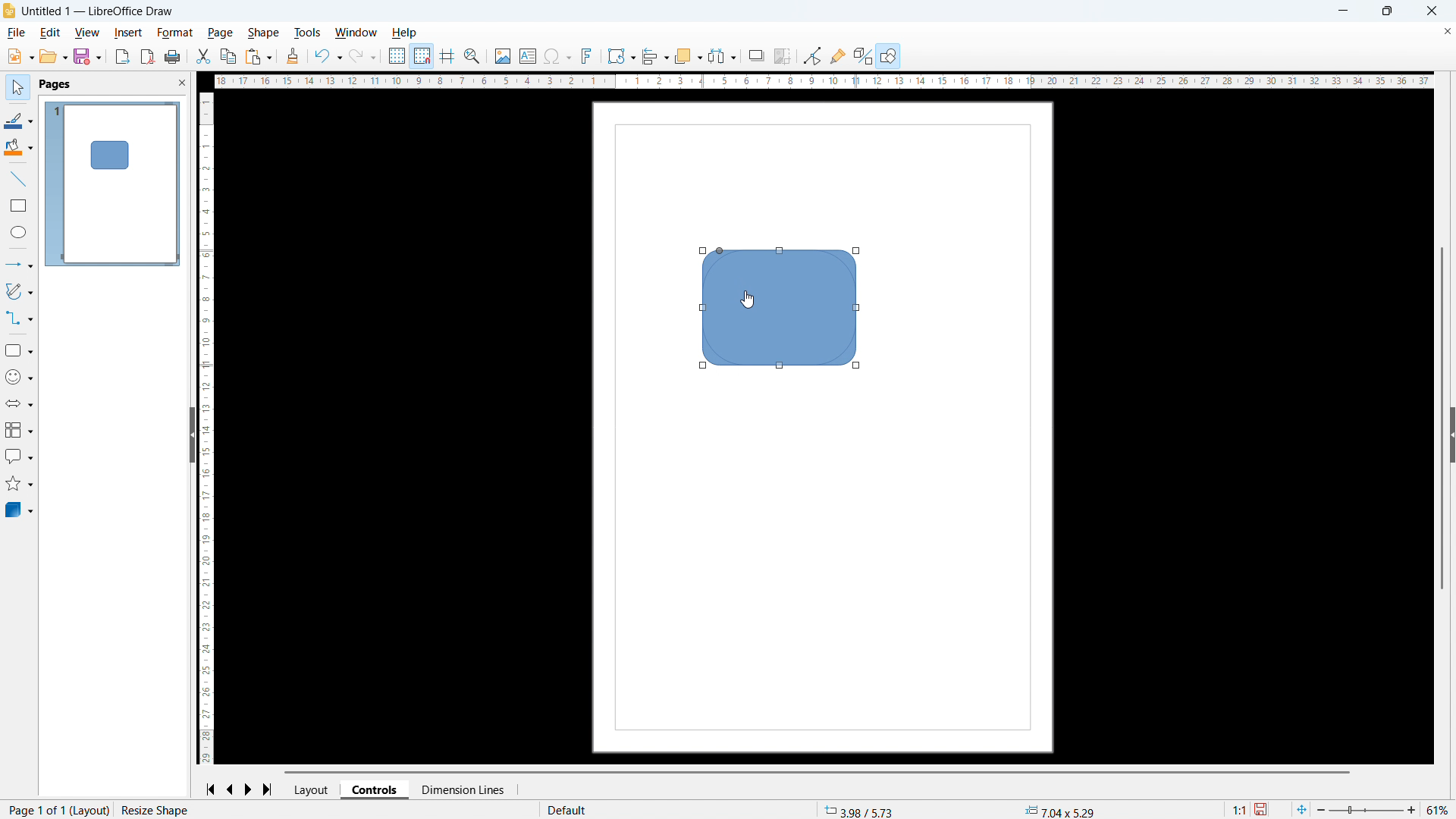 The height and width of the screenshot is (819, 1456). Describe the element at coordinates (863, 55) in the screenshot. I see `toggle extrusion` at that location.